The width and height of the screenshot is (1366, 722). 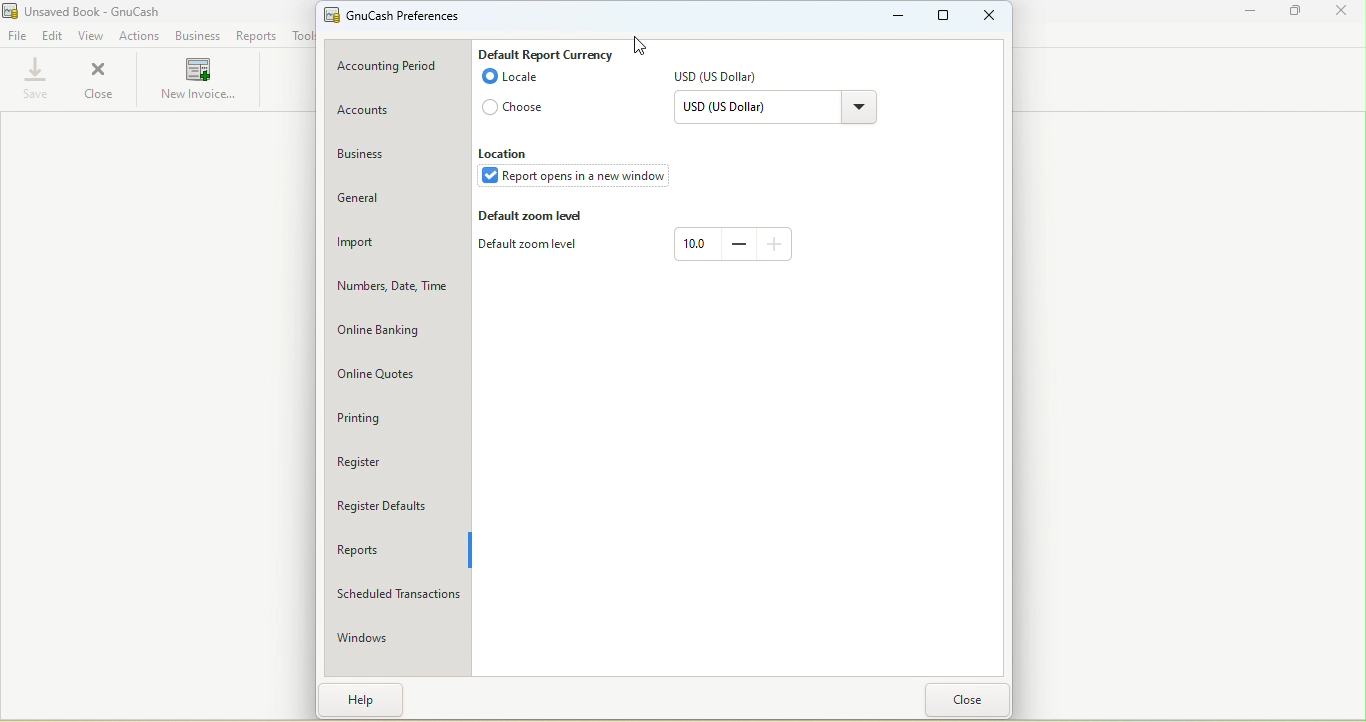 What do you see at coordinates (1252, 15) in the screenshot?
I see `Minimize` at bounding box center [1252, 15].